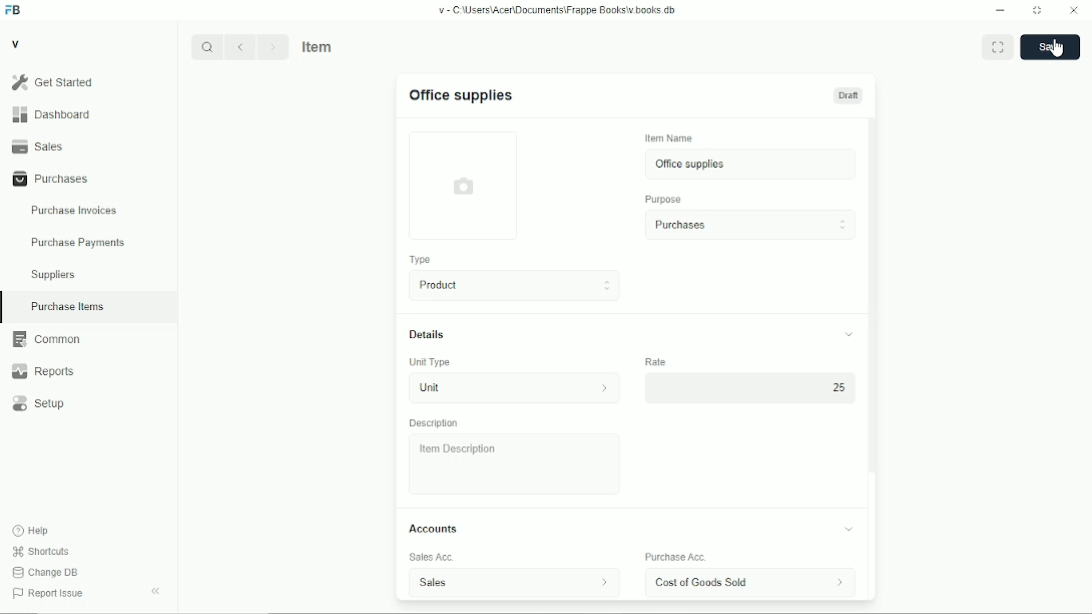 The image size is (1092, 614). Describe the element at coordinates (239, 46) in the screenshot. I see `Back` at that location.